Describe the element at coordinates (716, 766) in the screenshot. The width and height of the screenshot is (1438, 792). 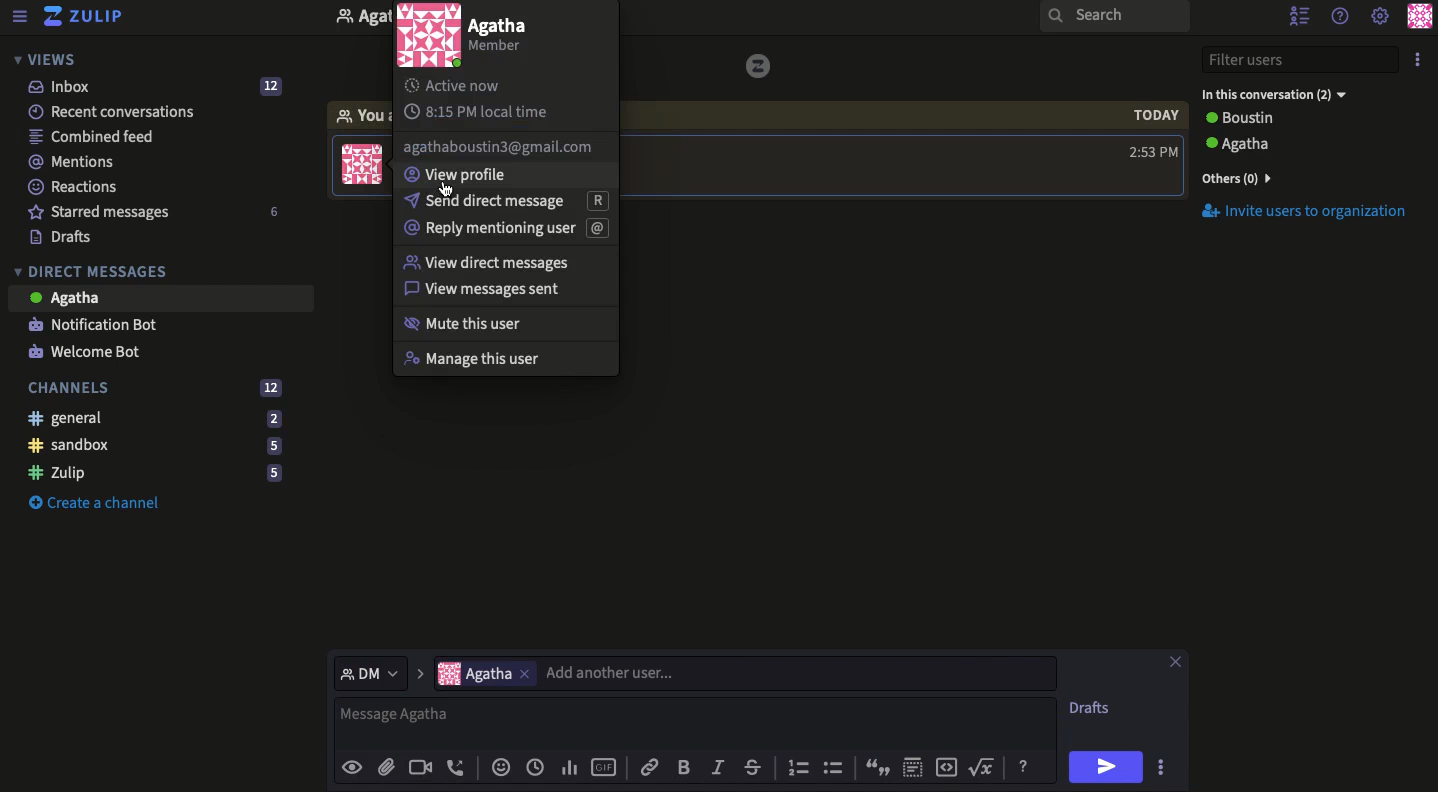
I see `Italics` at that location.